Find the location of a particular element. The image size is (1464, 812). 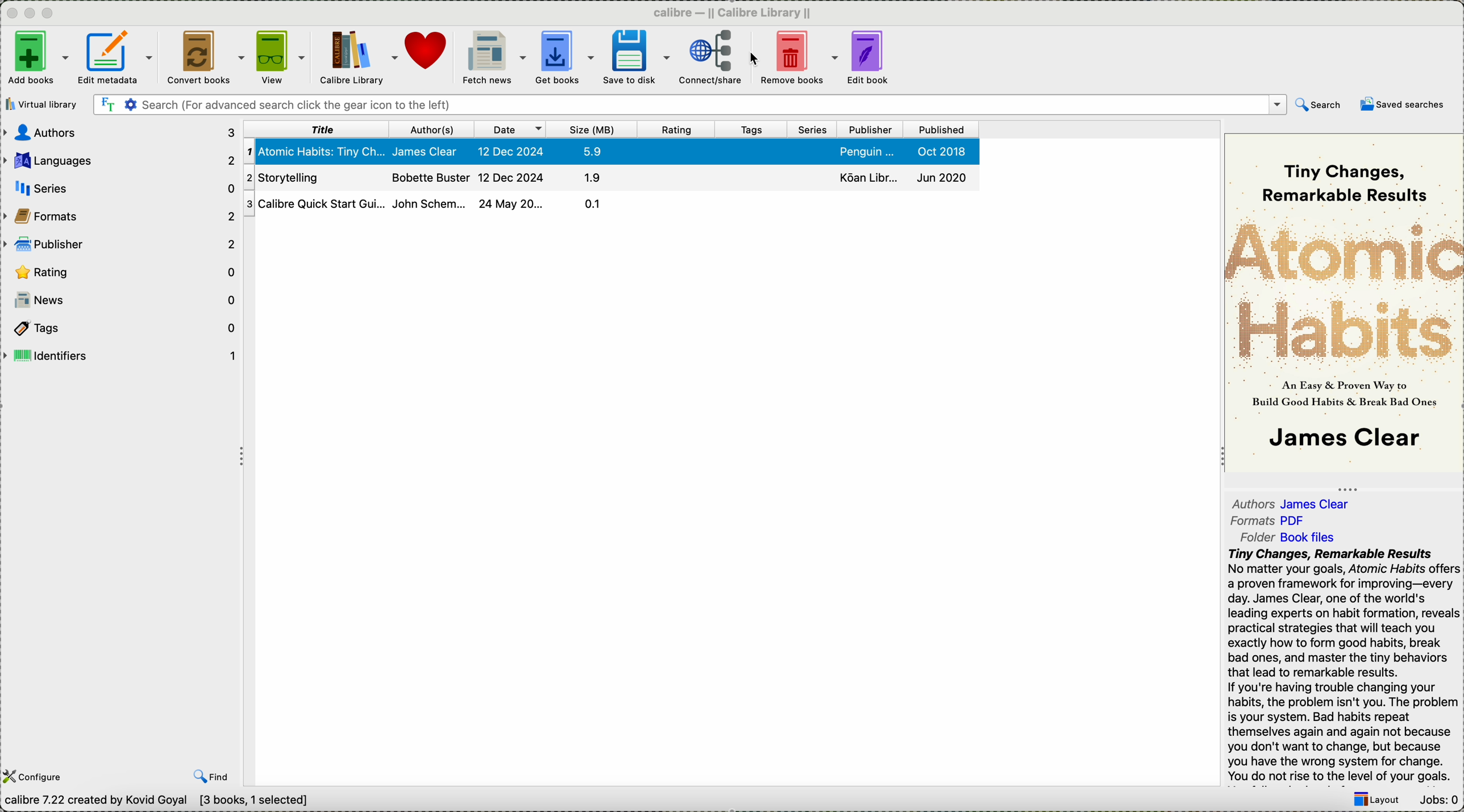

authors is located at coordinates (121, 132).